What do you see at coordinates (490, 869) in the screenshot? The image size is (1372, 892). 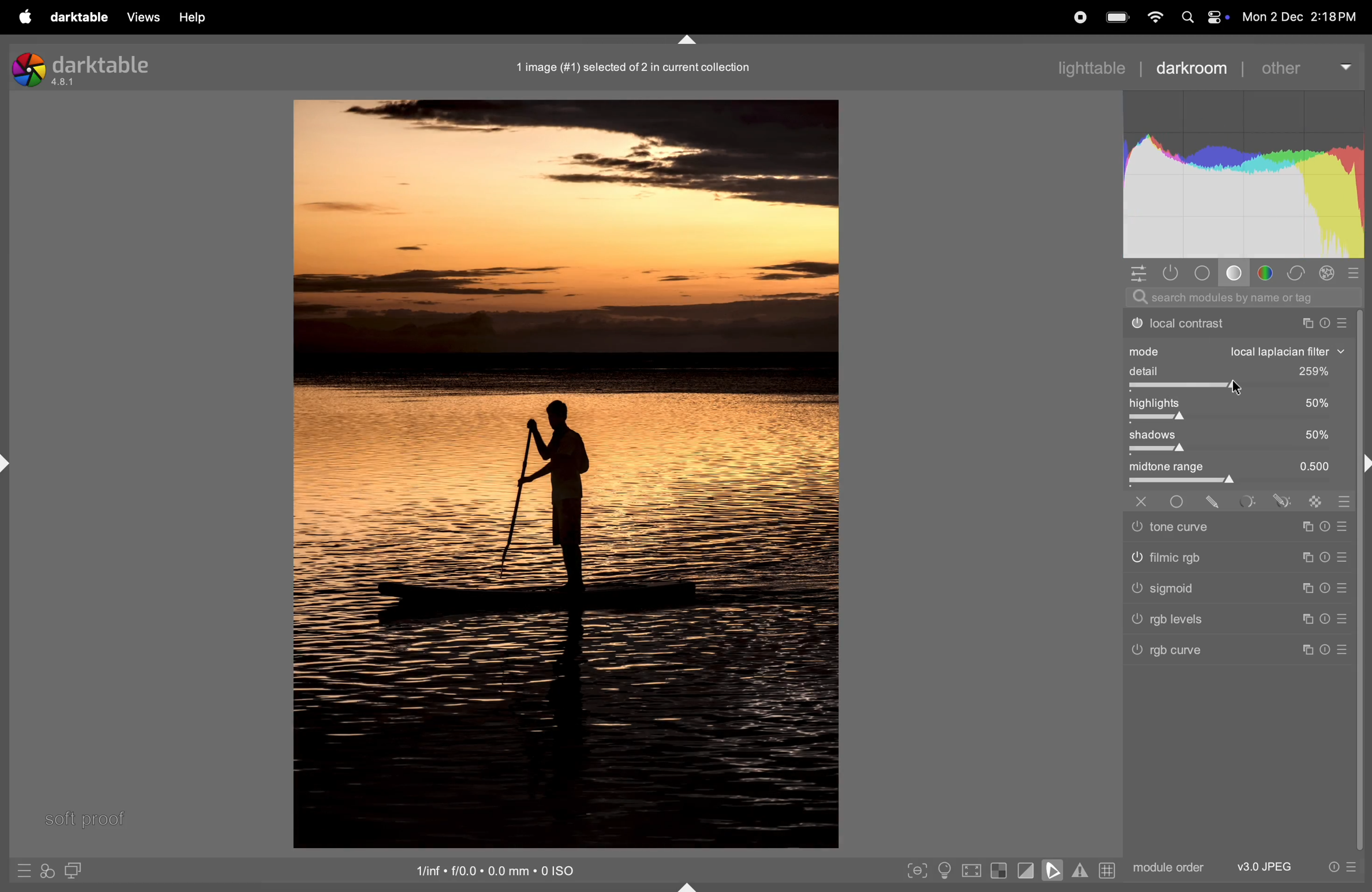 I see `iso` at bounding box center [490, 869].